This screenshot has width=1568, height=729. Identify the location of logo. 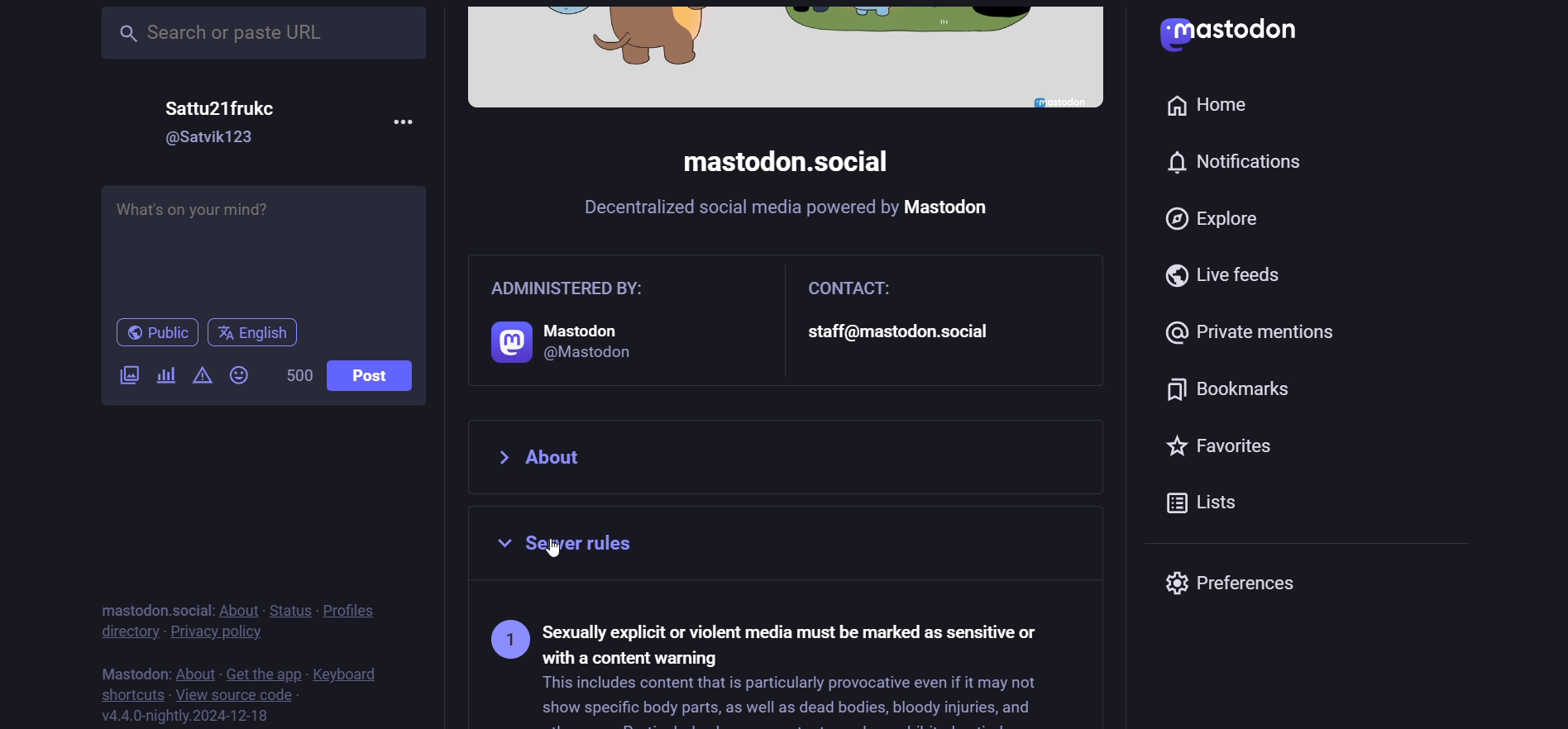
(1241, 34).